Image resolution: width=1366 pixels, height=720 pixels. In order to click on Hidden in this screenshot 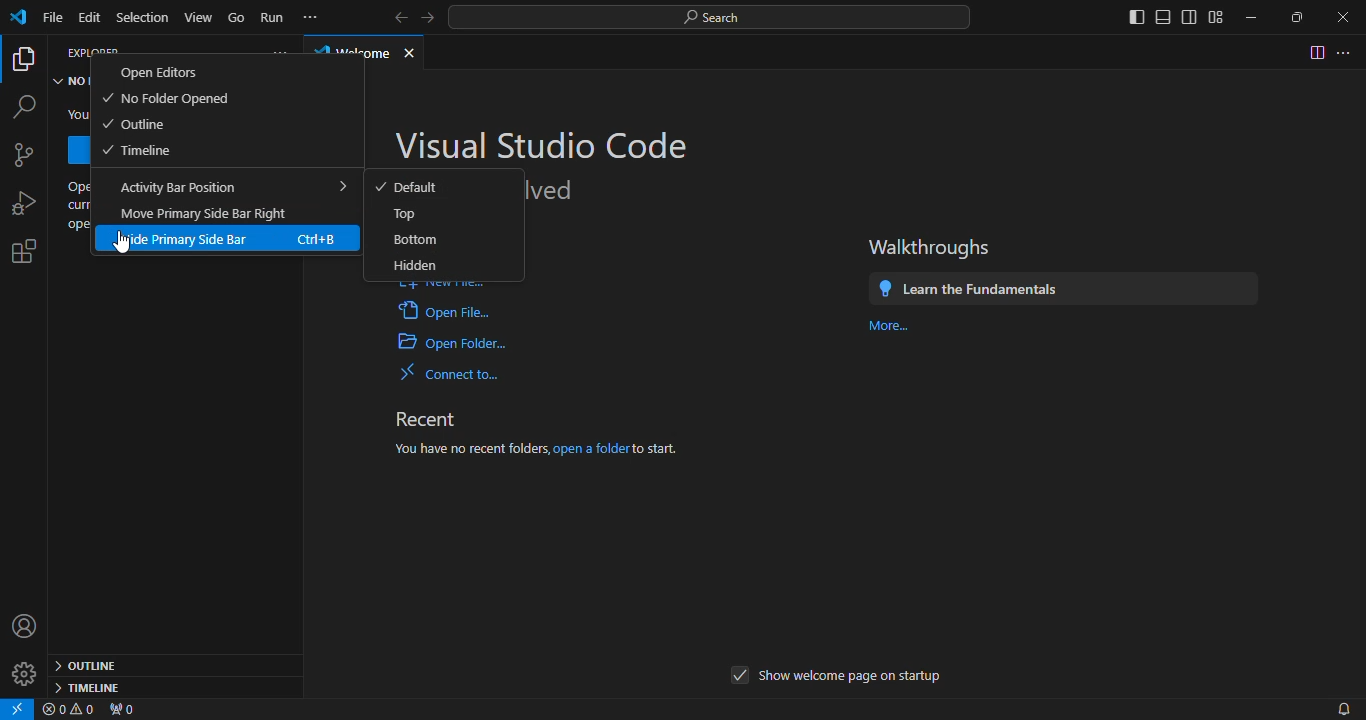, I will do `click(418, 270)`.